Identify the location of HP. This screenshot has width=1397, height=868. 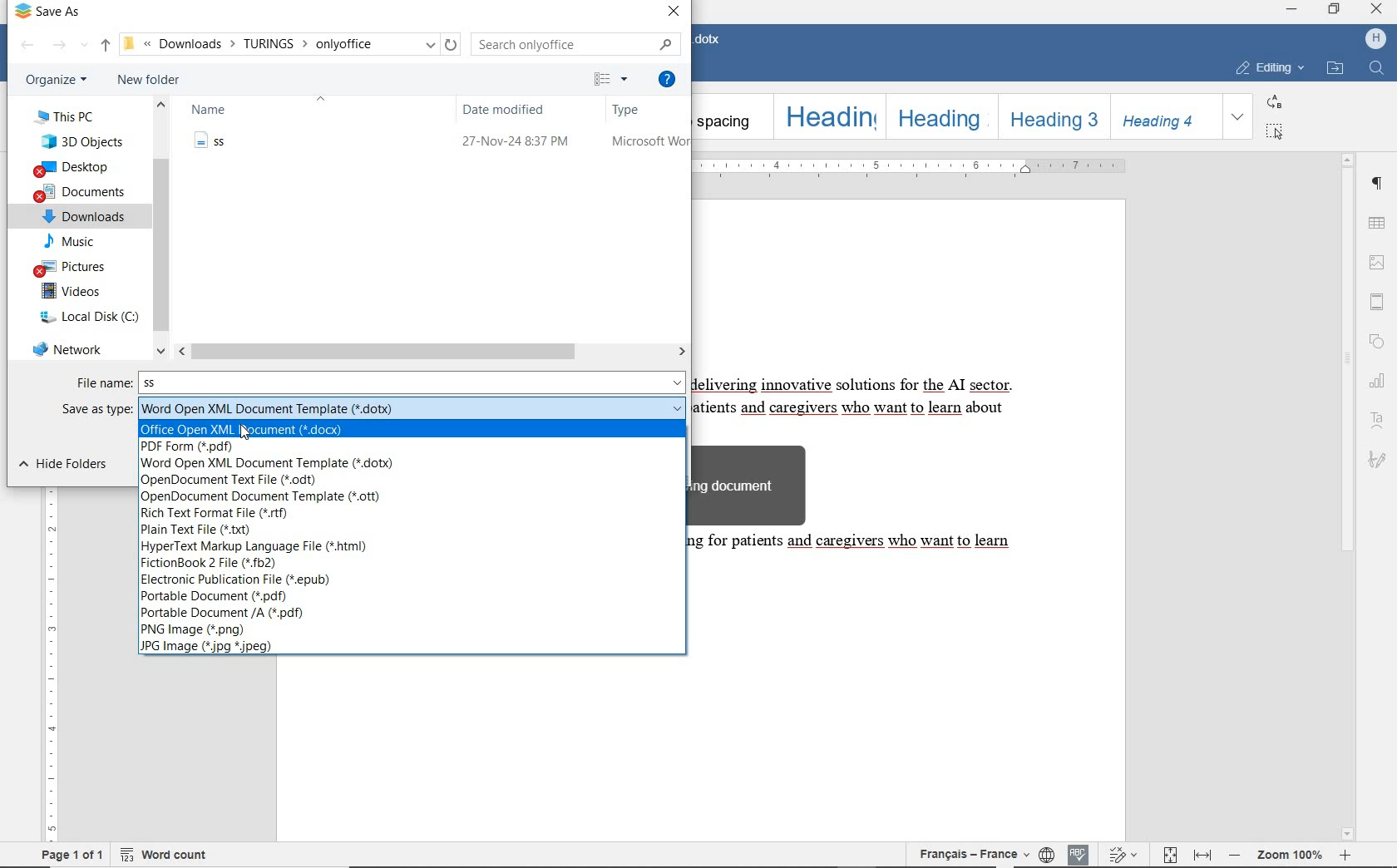
(1377, 38).